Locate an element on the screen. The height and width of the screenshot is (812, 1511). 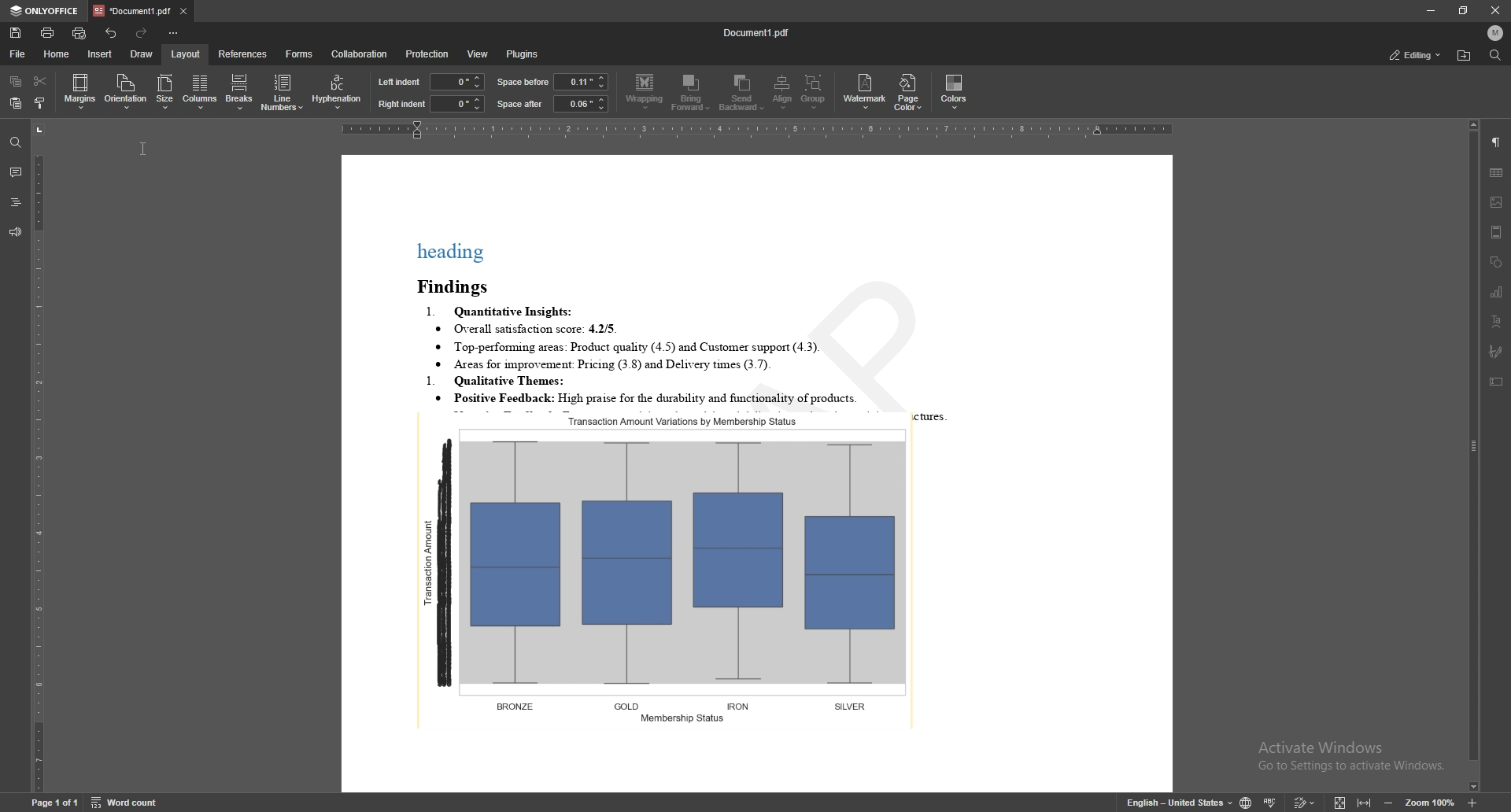
zoom is located at coordinates (1430, 803).